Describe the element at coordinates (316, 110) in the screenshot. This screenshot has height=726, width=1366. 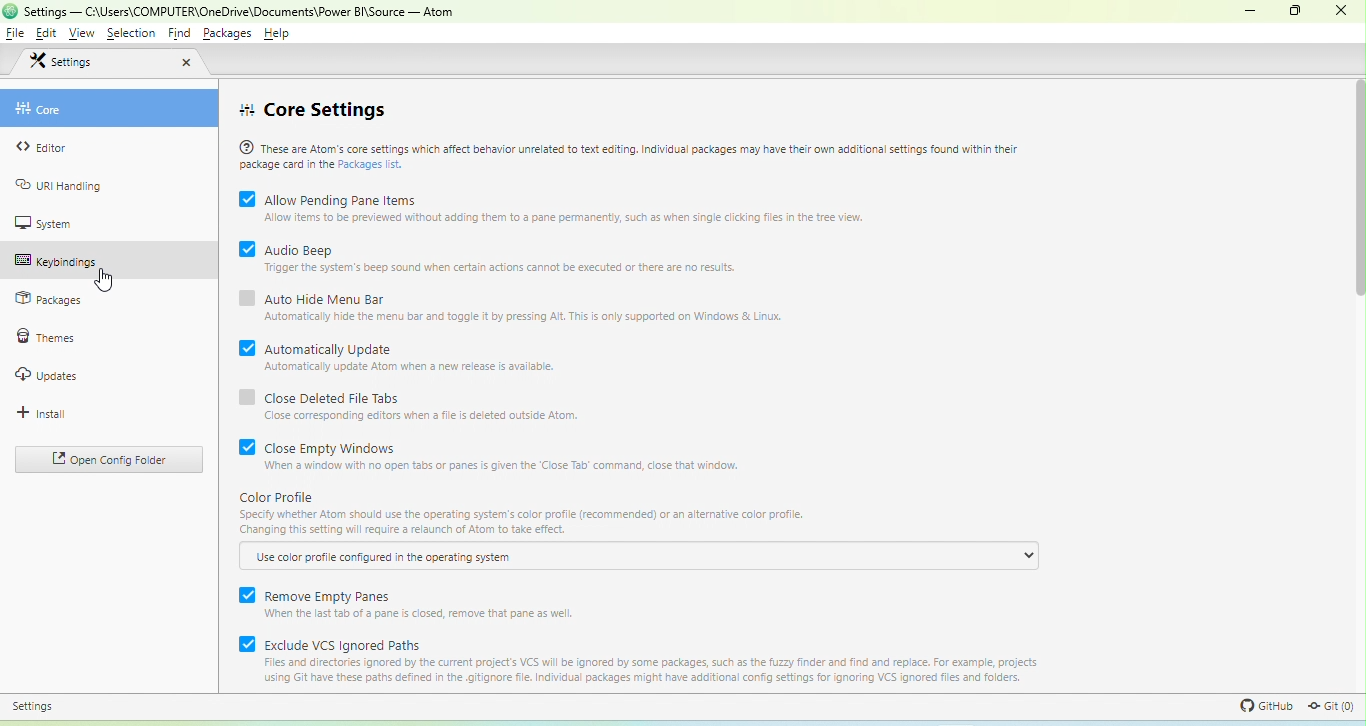
I see `core settings` at that location.